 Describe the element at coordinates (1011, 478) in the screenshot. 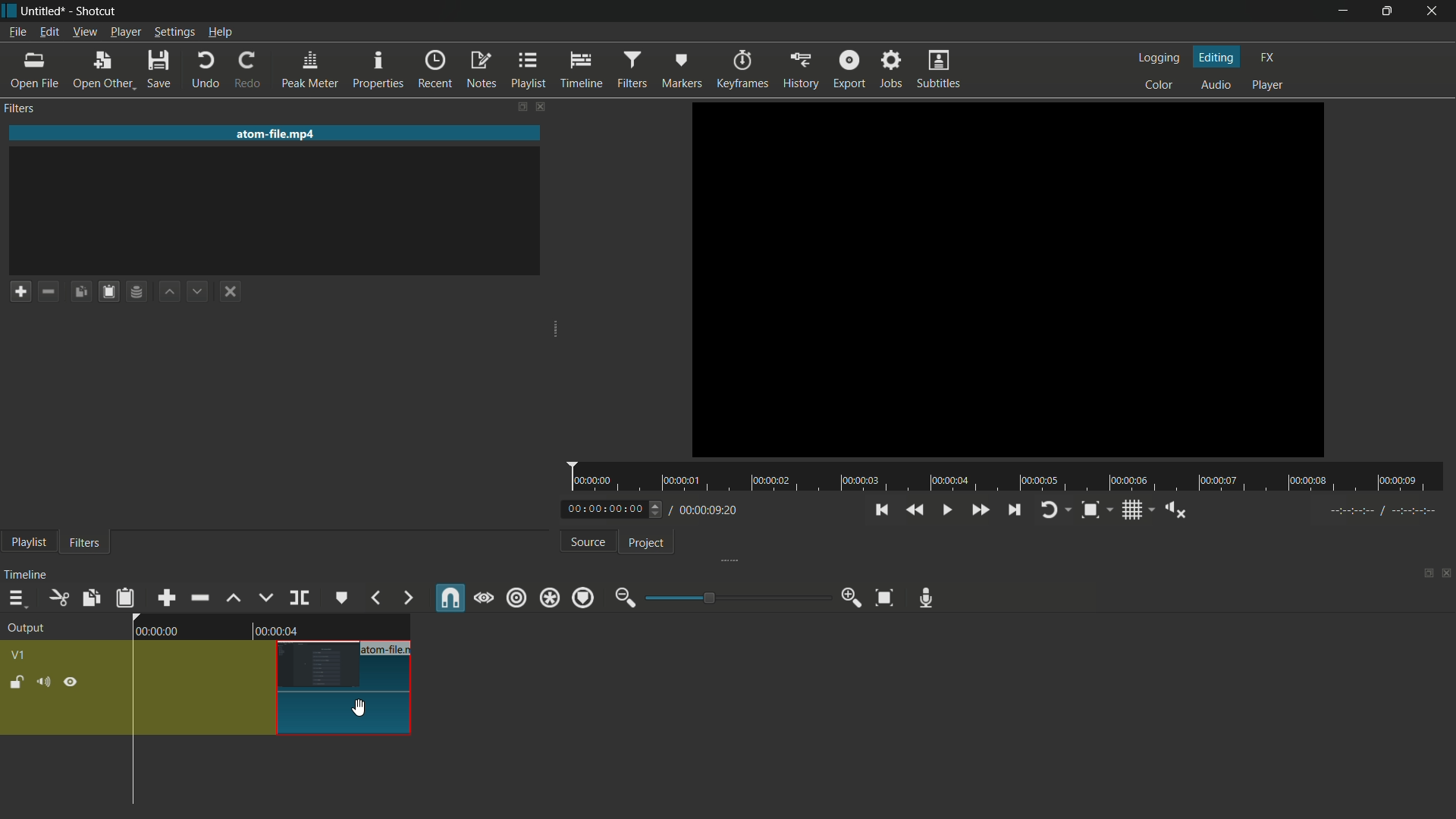

I see `time` at that location.